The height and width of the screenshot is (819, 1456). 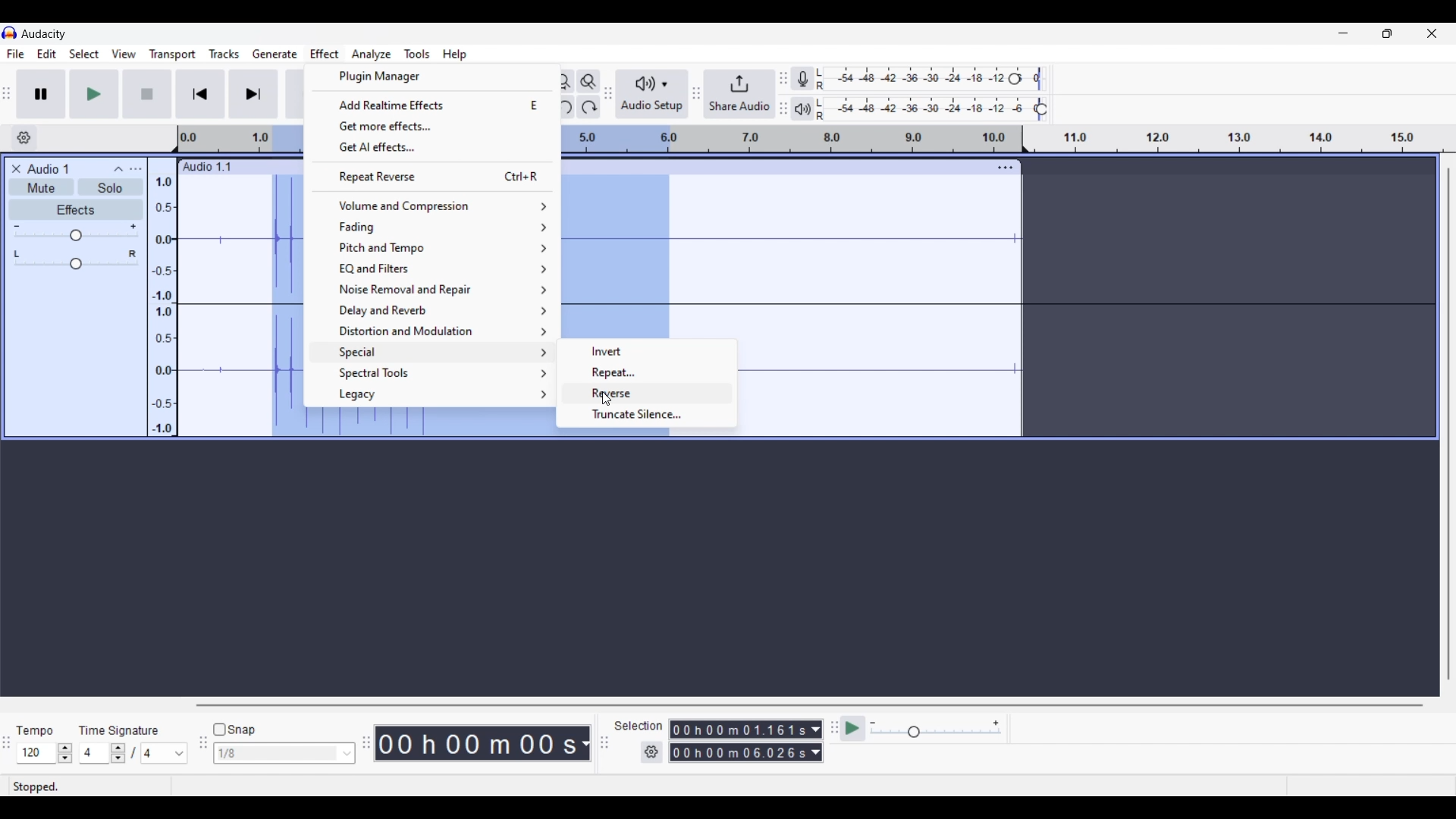 What do you see at coordinates (648, 351) in the screenshot?
I see `Invert` at bounding box center [648, 351].